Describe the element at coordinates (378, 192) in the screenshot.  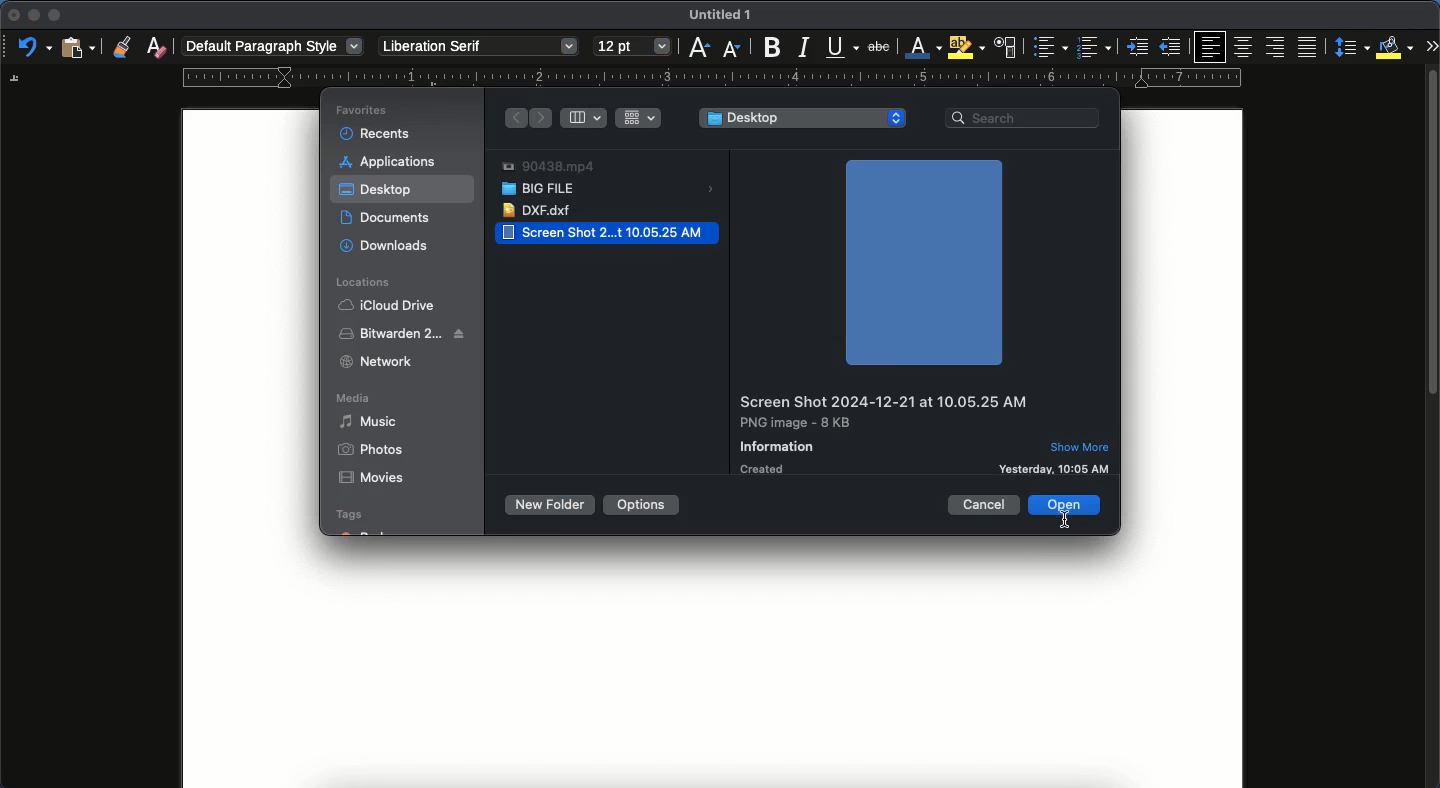
I see `desktop` at that location.